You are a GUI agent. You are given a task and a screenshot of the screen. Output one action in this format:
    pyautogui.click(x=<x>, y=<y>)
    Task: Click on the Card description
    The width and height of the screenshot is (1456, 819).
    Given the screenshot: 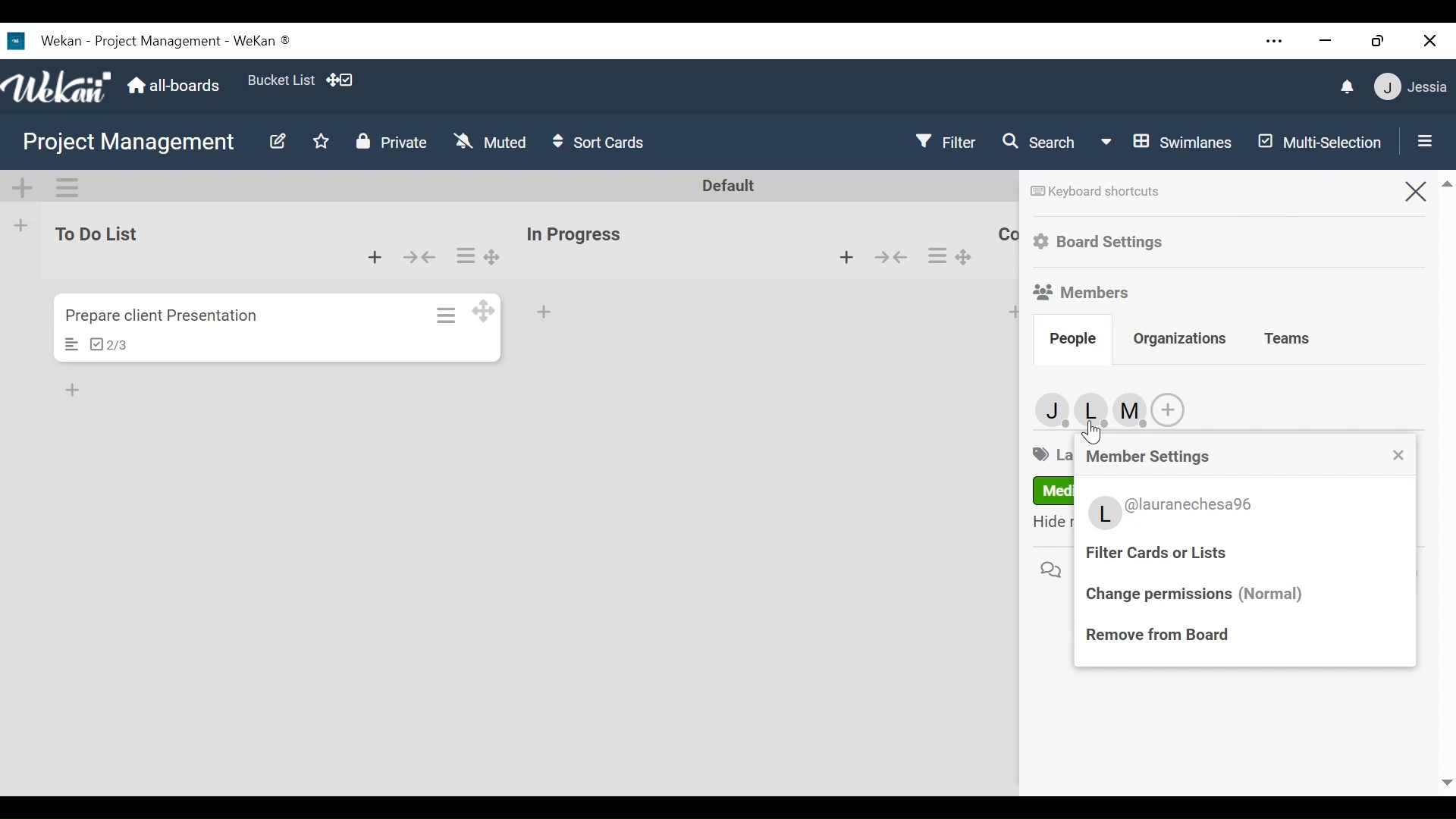 What is the action you would take?
    pyautogui.click(x=72, y=344)
    